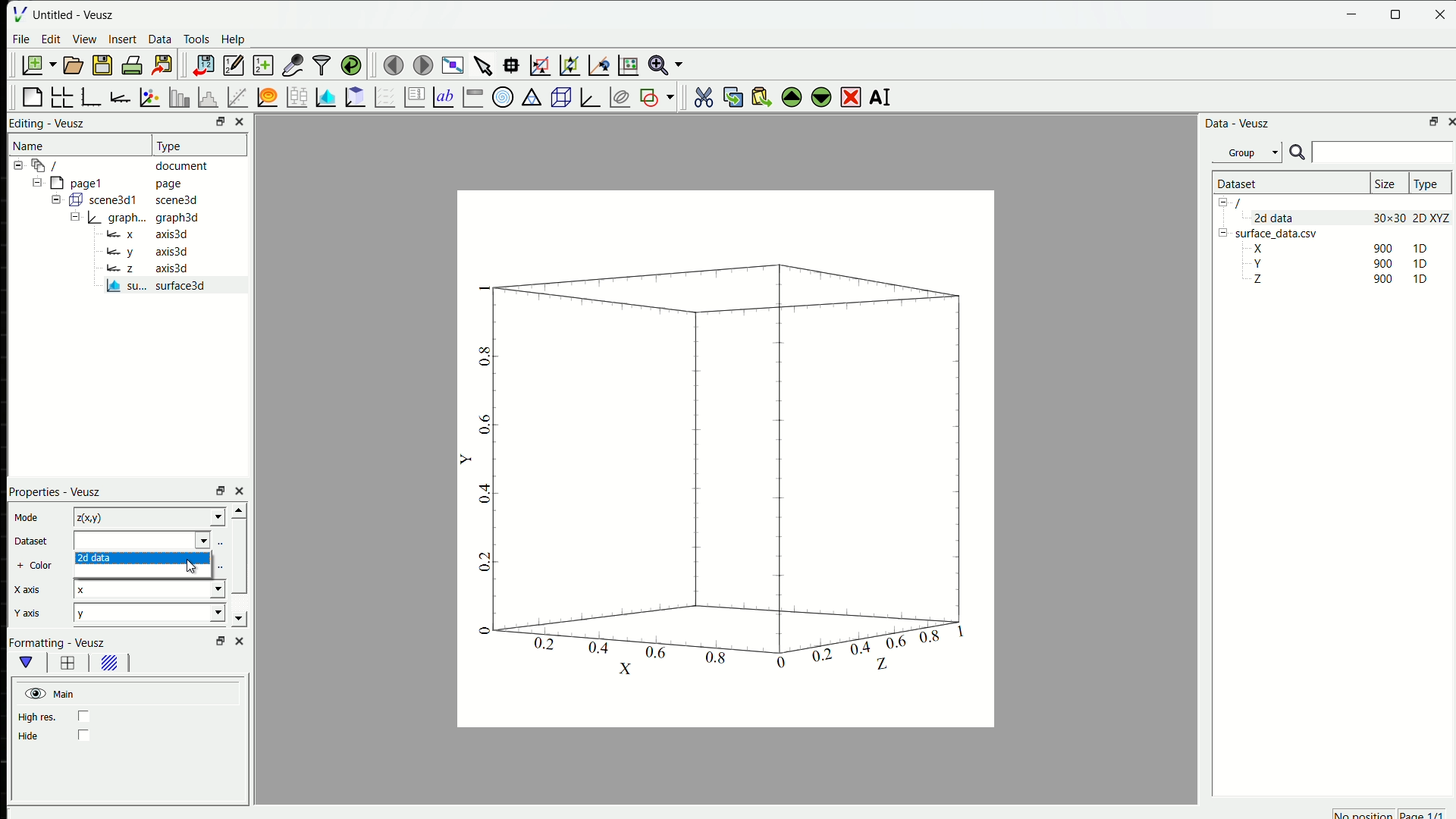 The height and width of the screenshot is (819, 1456). I want to click on move the selected widget up, so click(792, 96).